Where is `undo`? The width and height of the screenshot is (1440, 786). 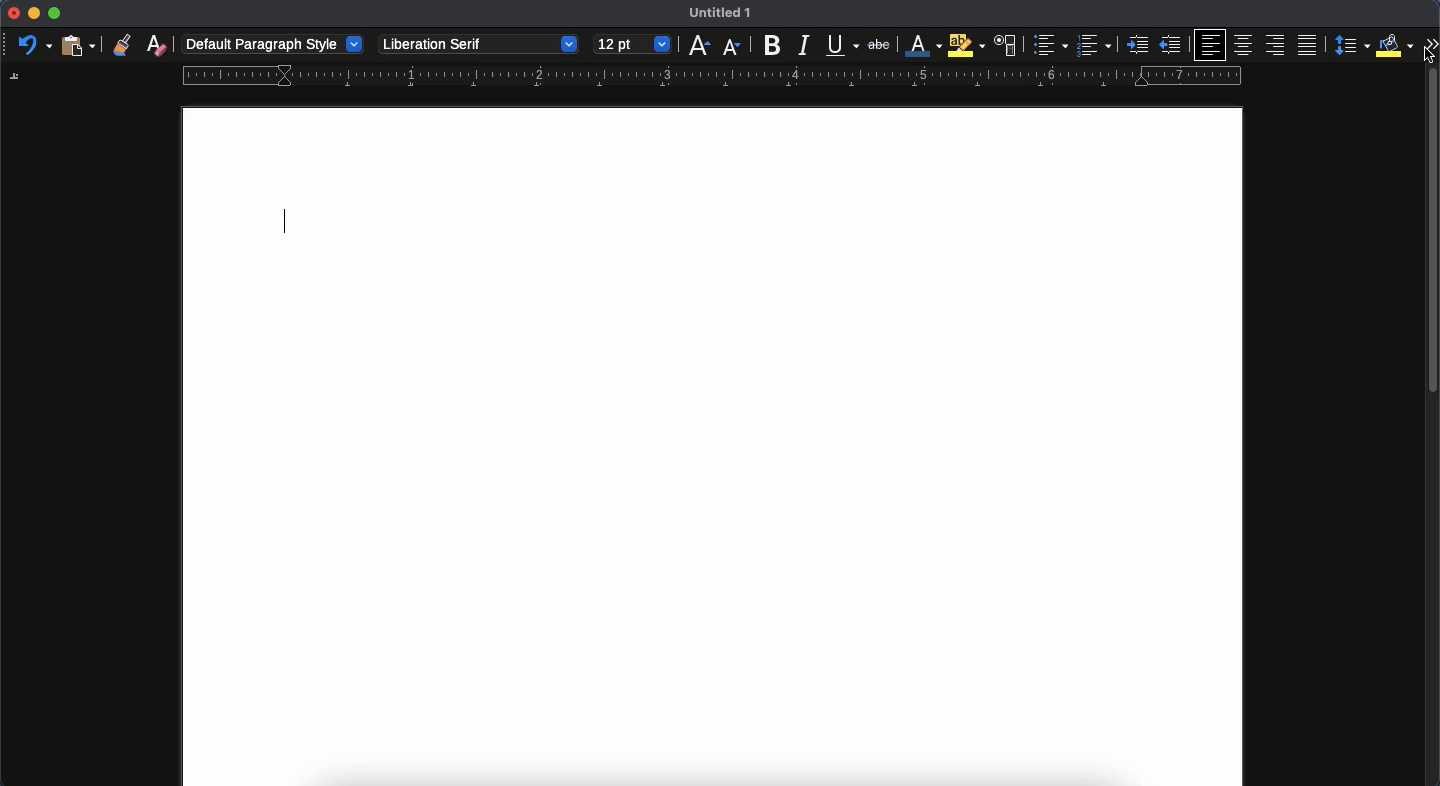 undo is located at coordinates (33, 46).